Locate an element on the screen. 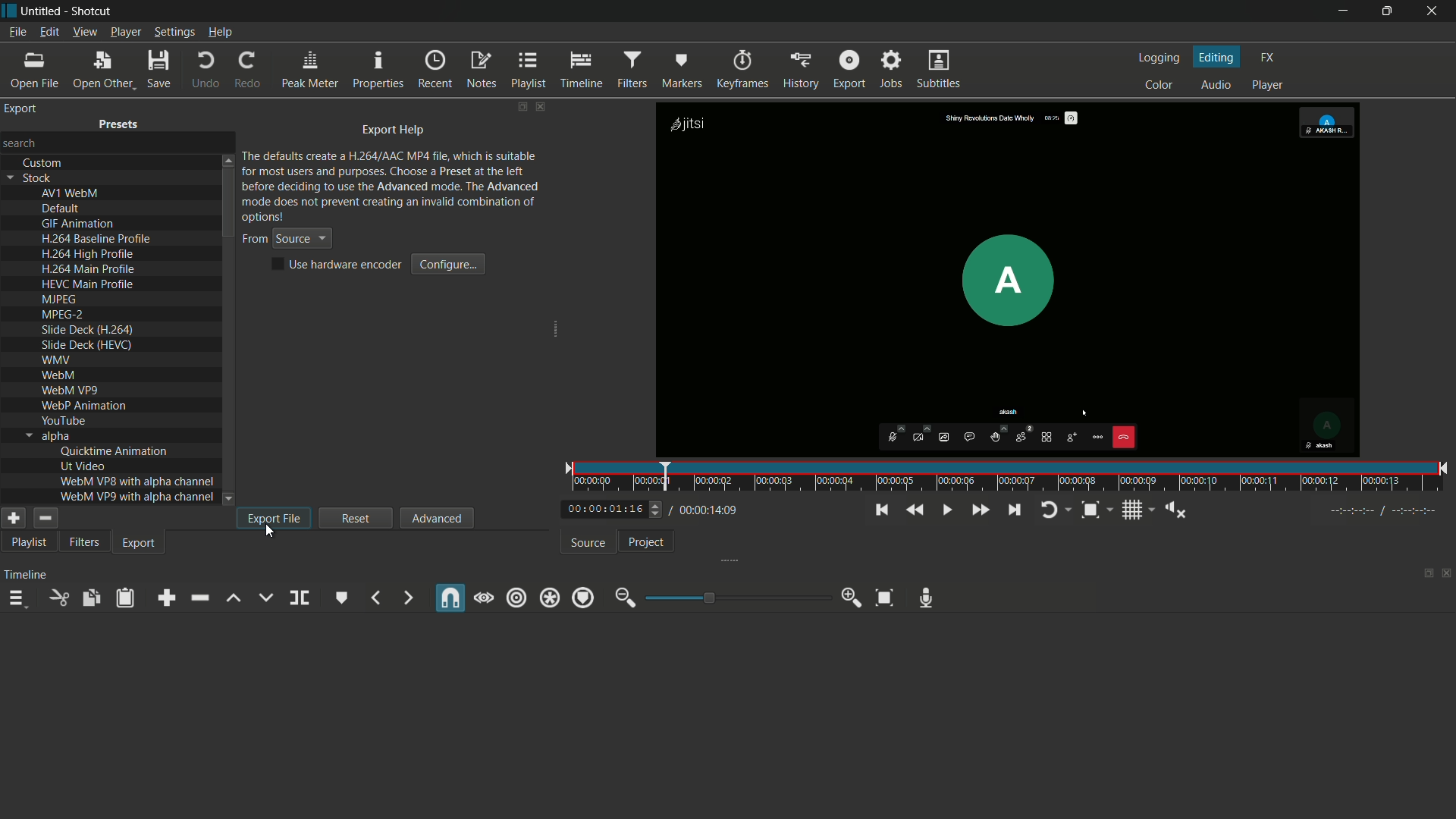 The height and width of the screenshot is (819, 1456). zoom out is located at coordinates (622, 598).